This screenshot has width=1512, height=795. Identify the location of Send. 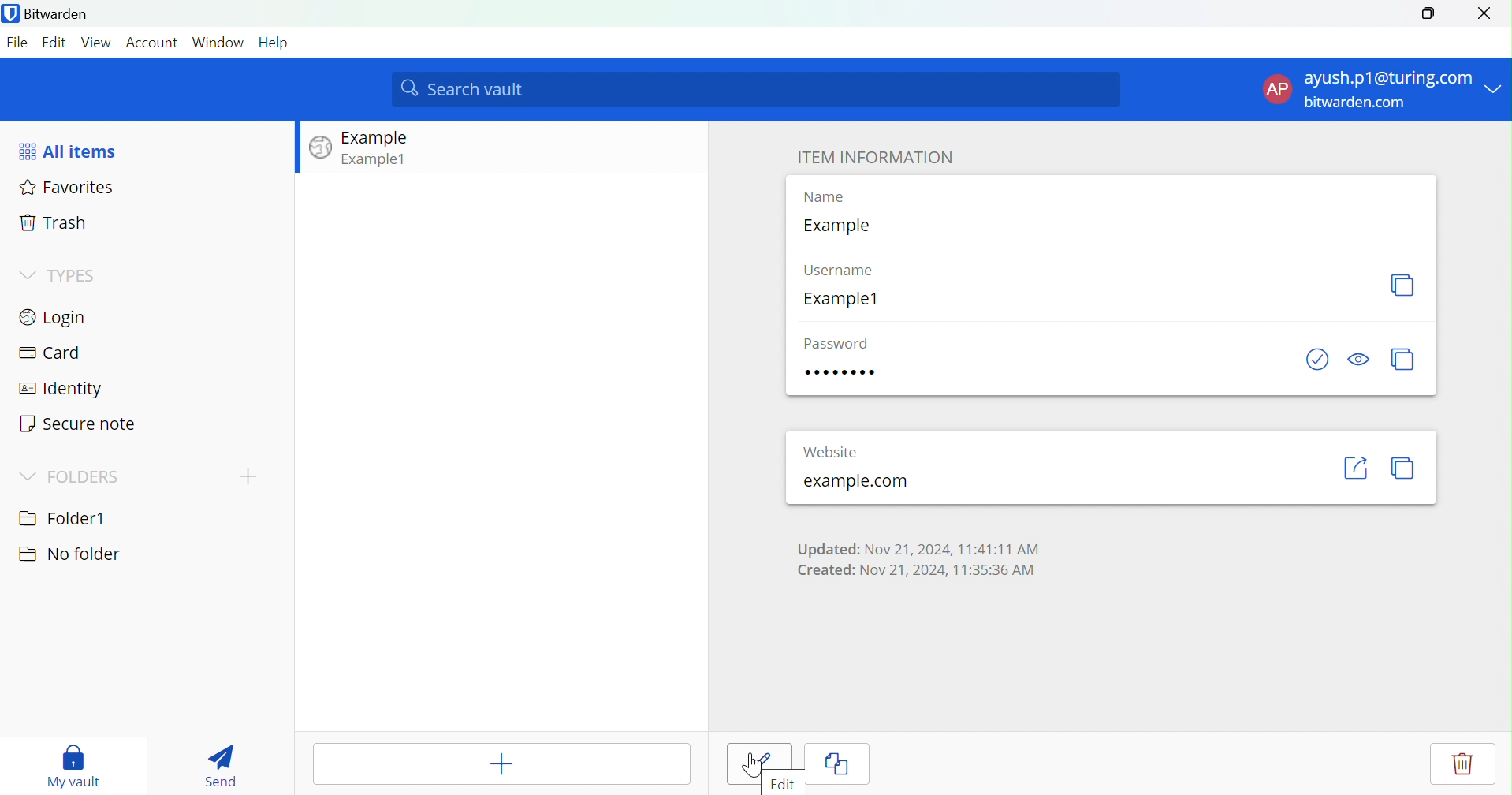
(220, 766).